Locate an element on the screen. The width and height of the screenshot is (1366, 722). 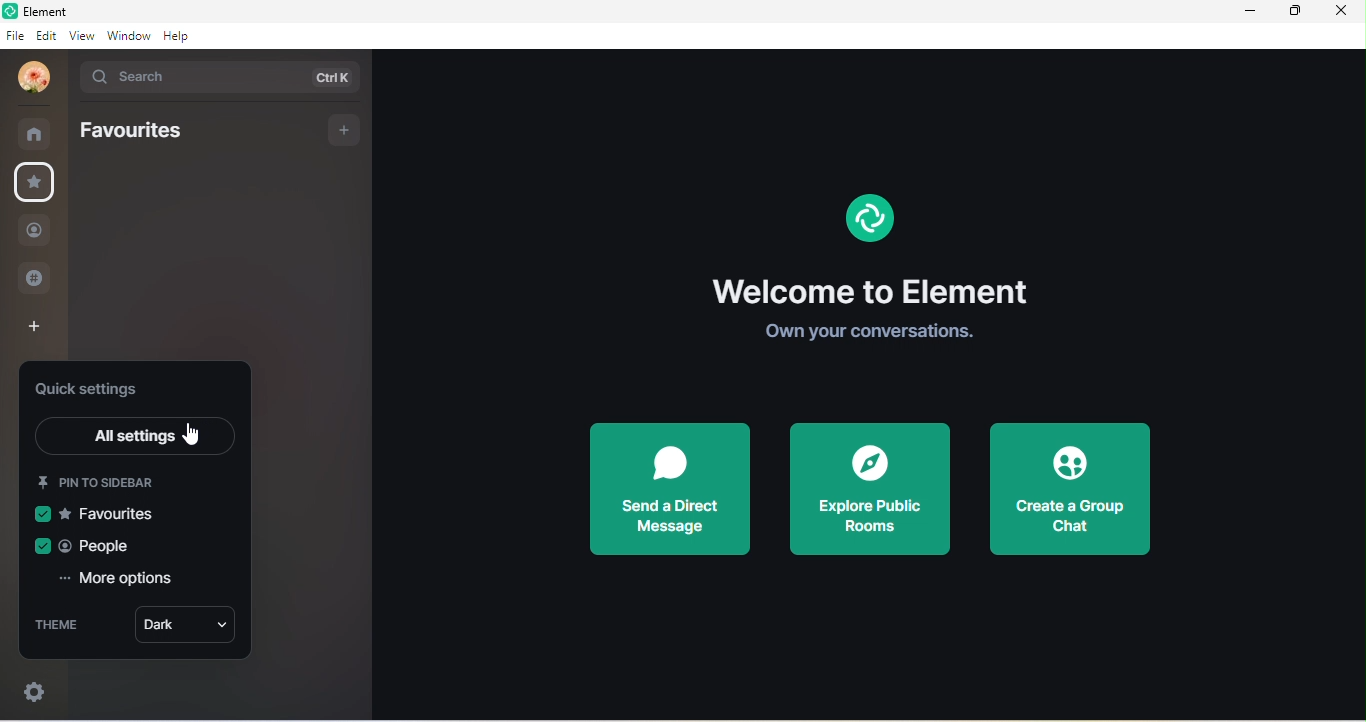
dark is located at coordinates (186, 627).